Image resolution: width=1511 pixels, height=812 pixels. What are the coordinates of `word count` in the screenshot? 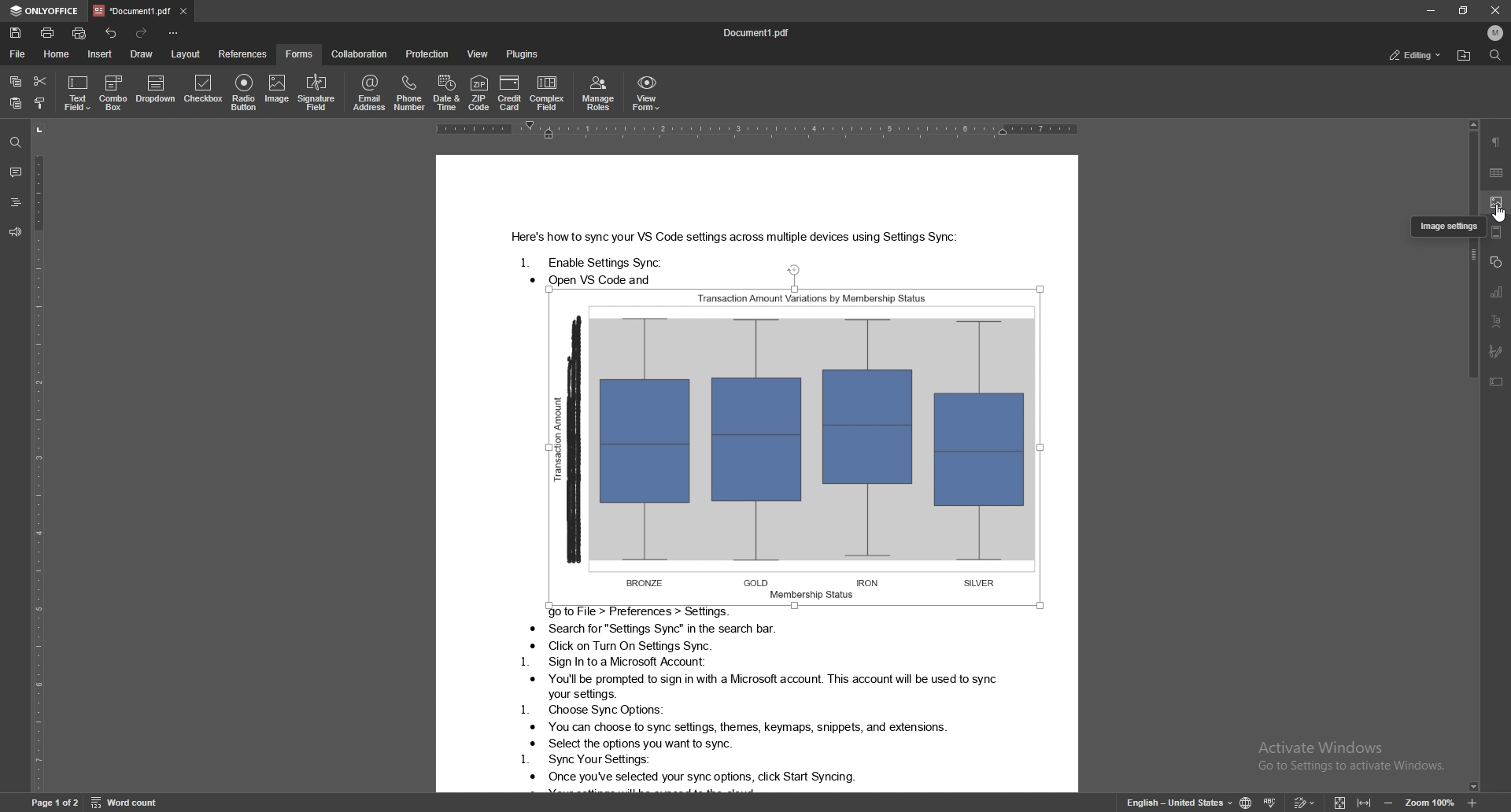 It's located at (125, 802).